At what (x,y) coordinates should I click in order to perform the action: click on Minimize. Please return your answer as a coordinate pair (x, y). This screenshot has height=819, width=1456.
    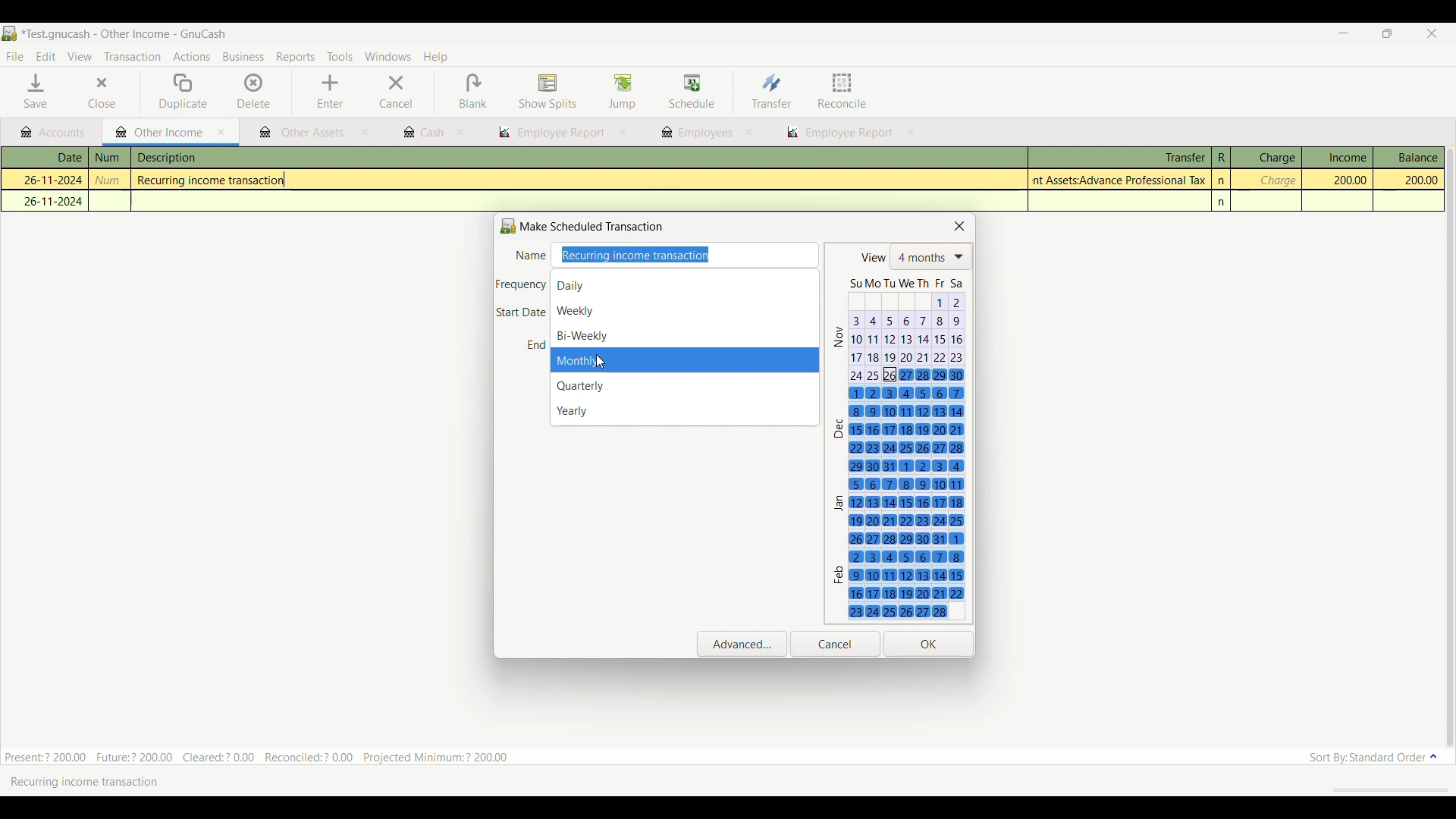
    Looking at the image, I should click on (1341, 34).